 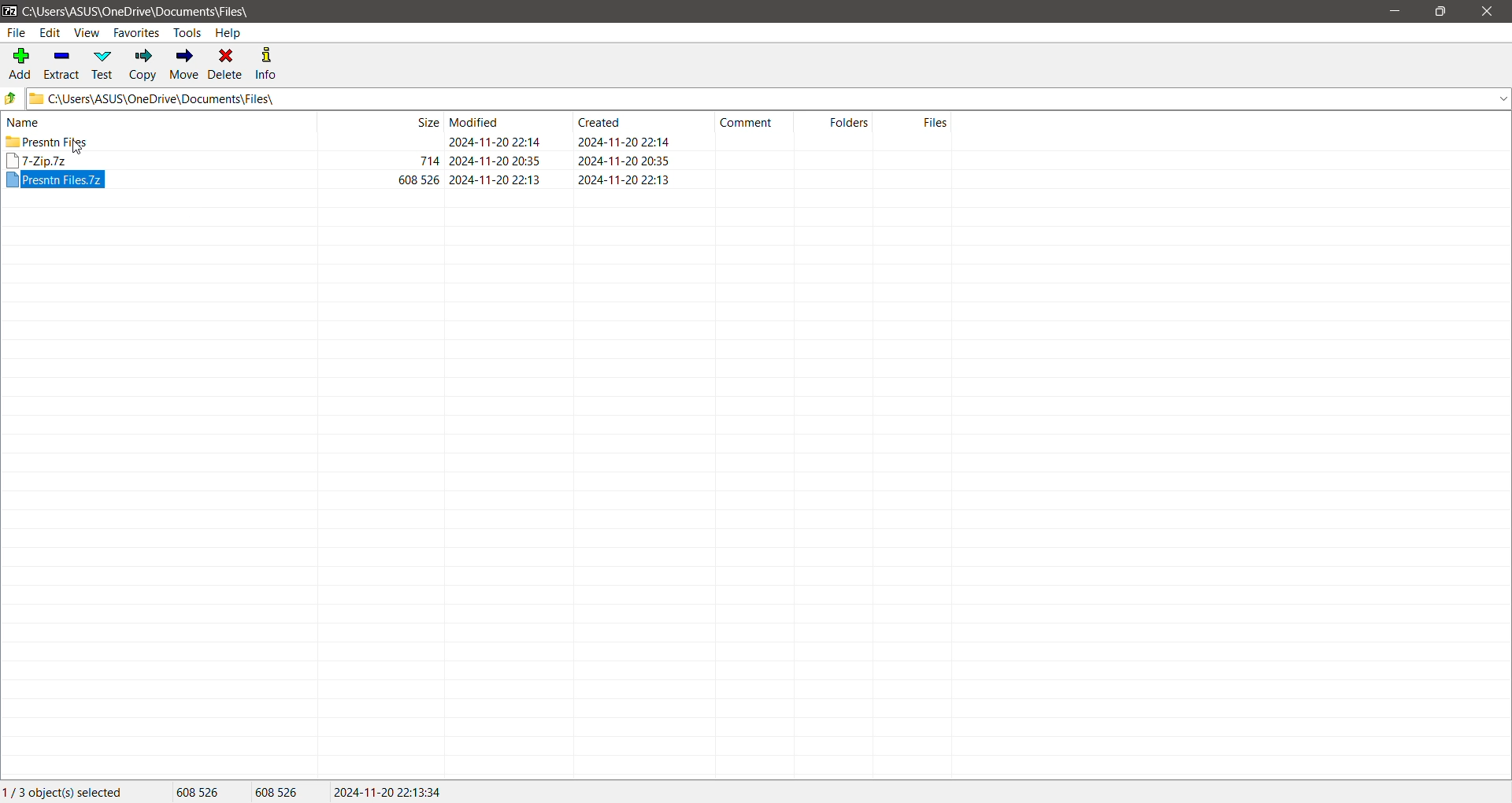 What do you see at coordinates (185, 65) in the screenshot?
I see `Move` at bounding box center [185, 65].